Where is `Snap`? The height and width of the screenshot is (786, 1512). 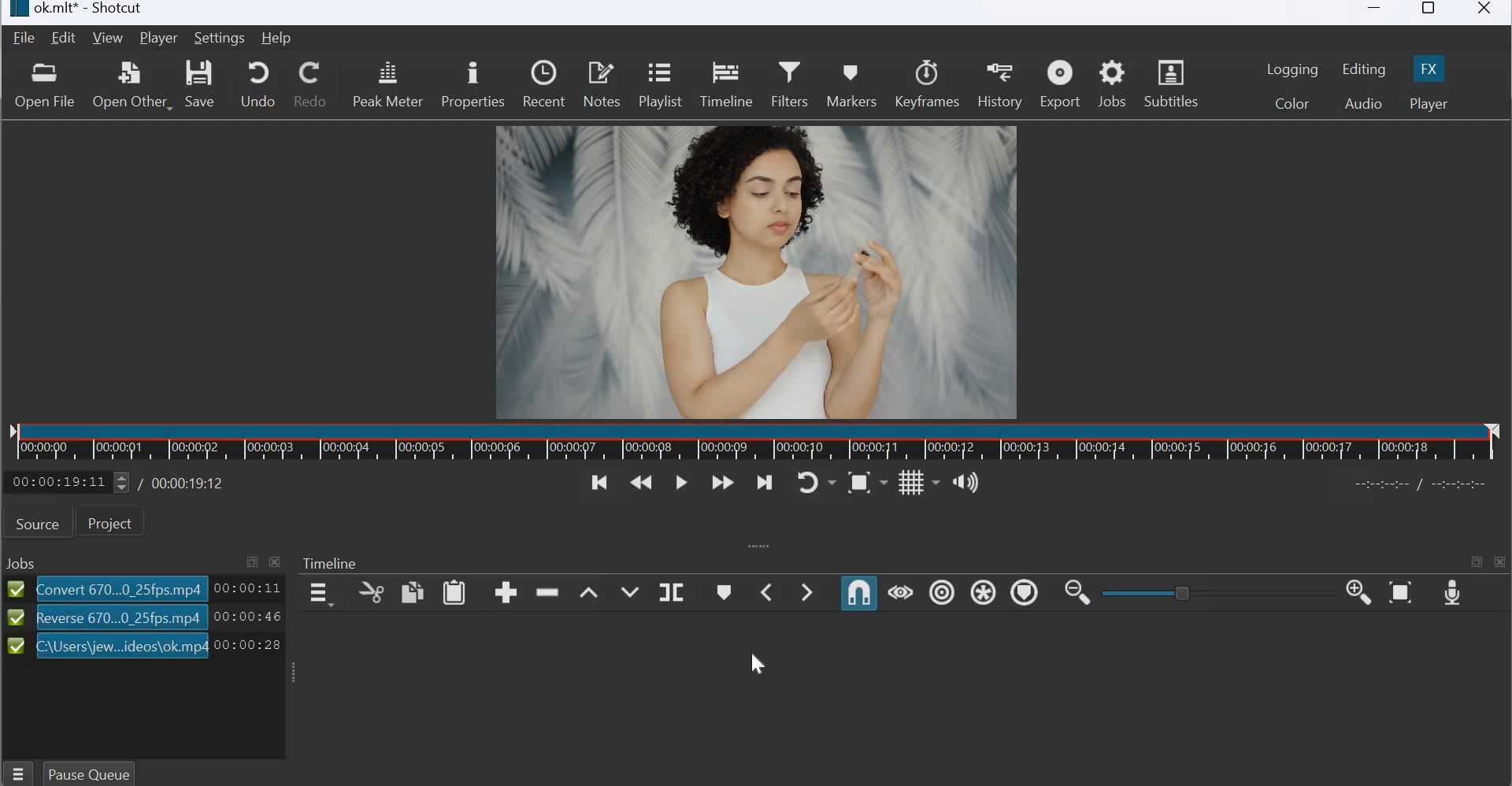 Snap is located at coordinates (859, 591).